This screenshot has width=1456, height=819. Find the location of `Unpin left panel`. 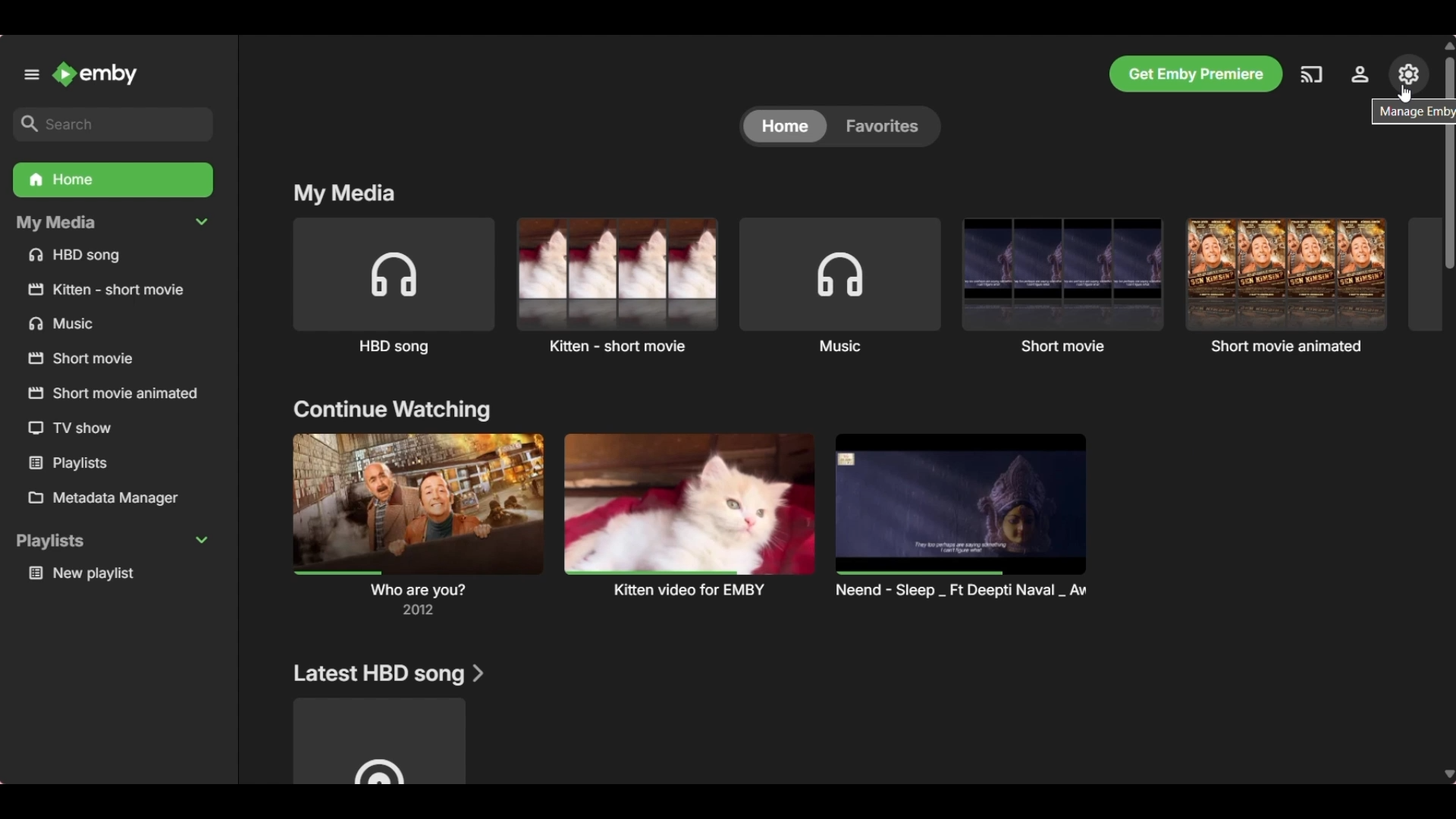

Unpin left panel is located at coordinates (31, 74).